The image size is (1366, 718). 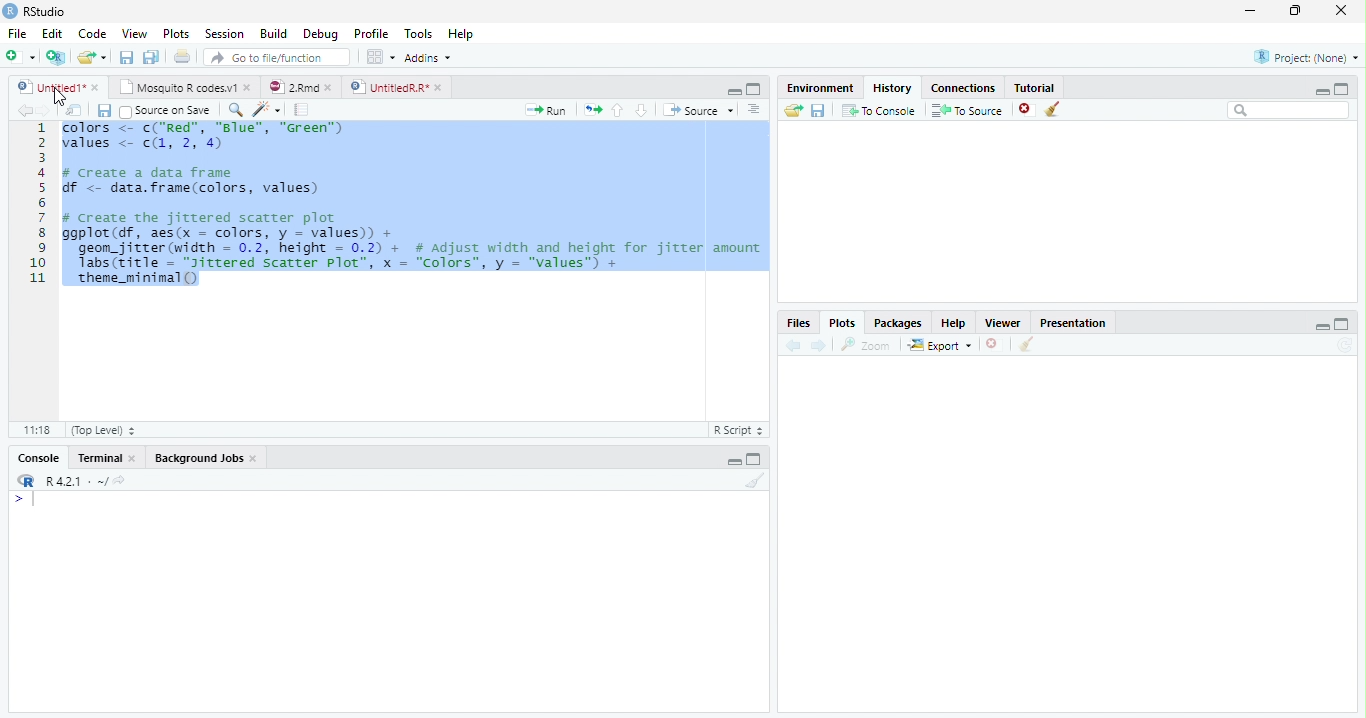 I want to click on Tools, so click(x=418, y=33).